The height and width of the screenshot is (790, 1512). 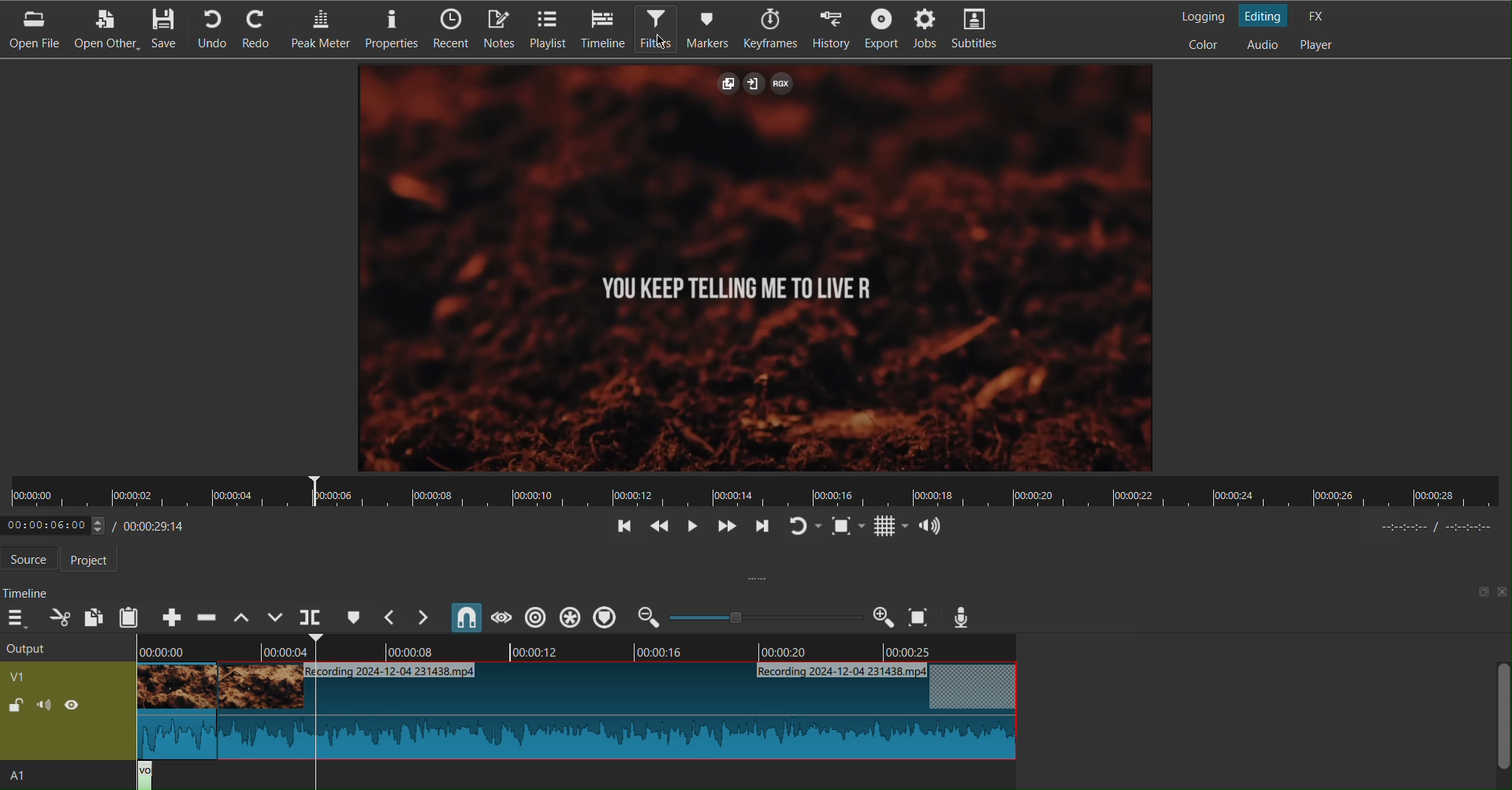 What do you see at coordinates (32, 777) in the screenshot?
I see `A1` at bounding box center [32, 777].